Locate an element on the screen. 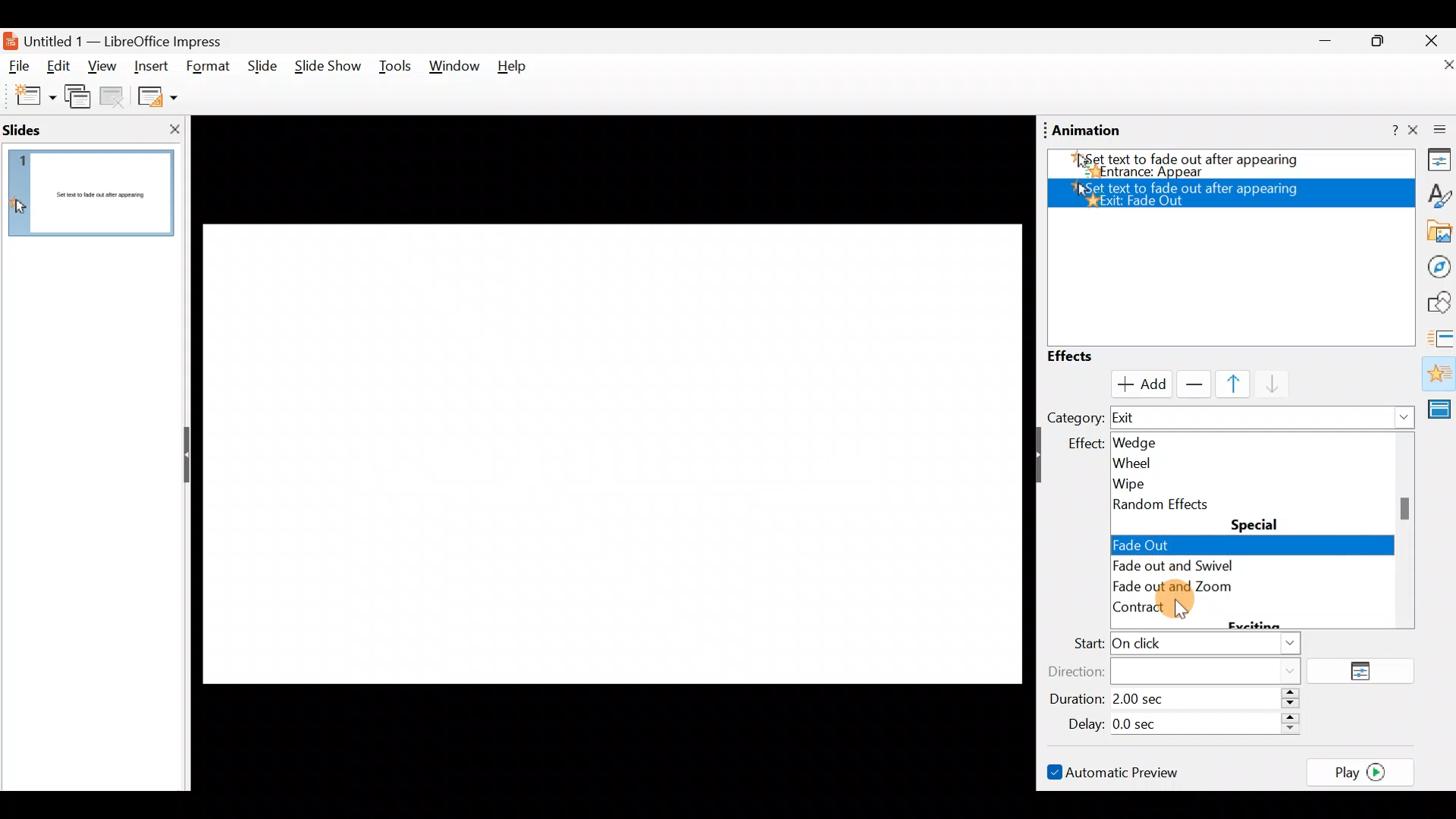 Image resolution: width=1456 pixels, height=819 pixels. Effects is located at coordinates (1084, 356).